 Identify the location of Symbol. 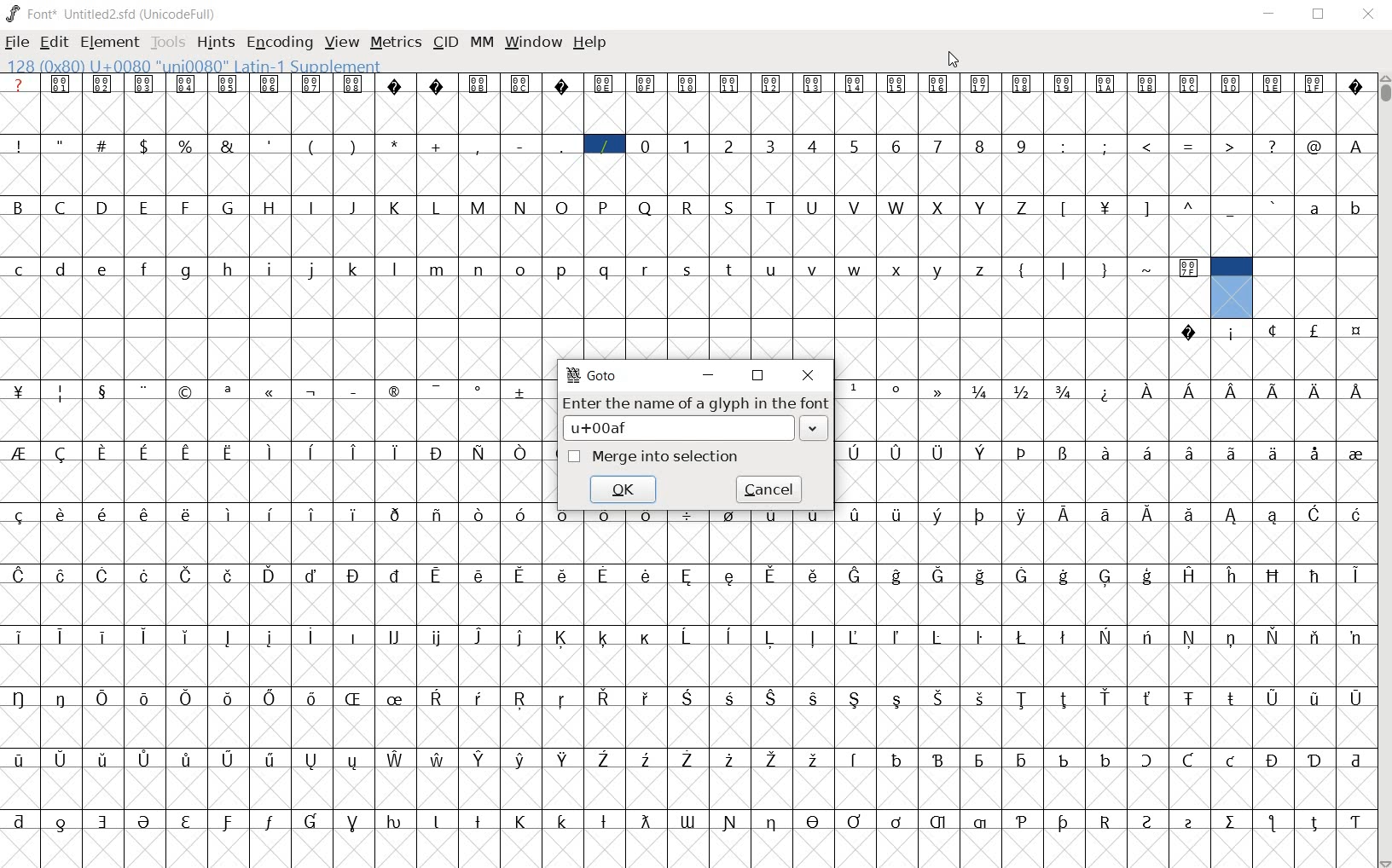
(188, 514).